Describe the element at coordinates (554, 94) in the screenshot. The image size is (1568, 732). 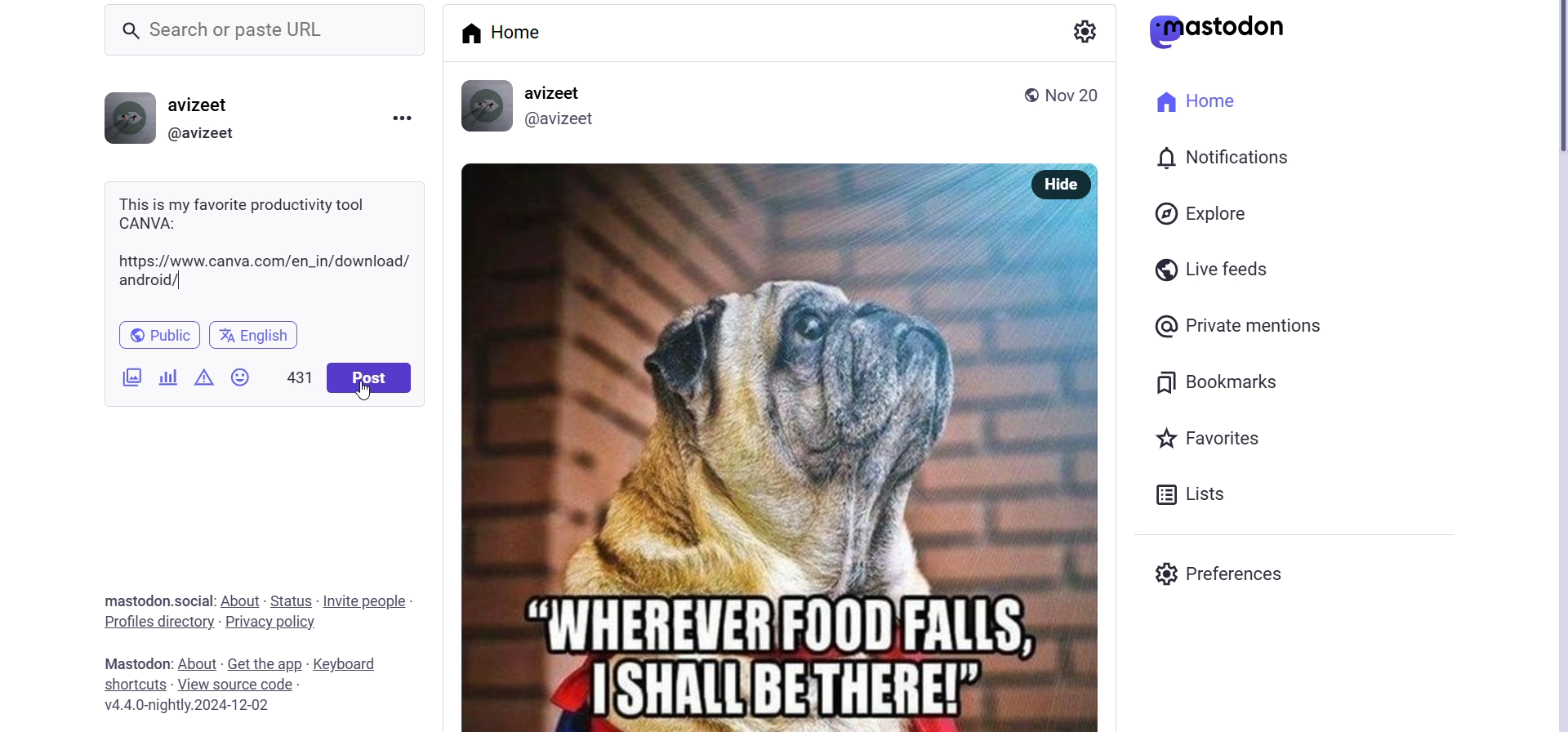
I see `avizeet` at that location.